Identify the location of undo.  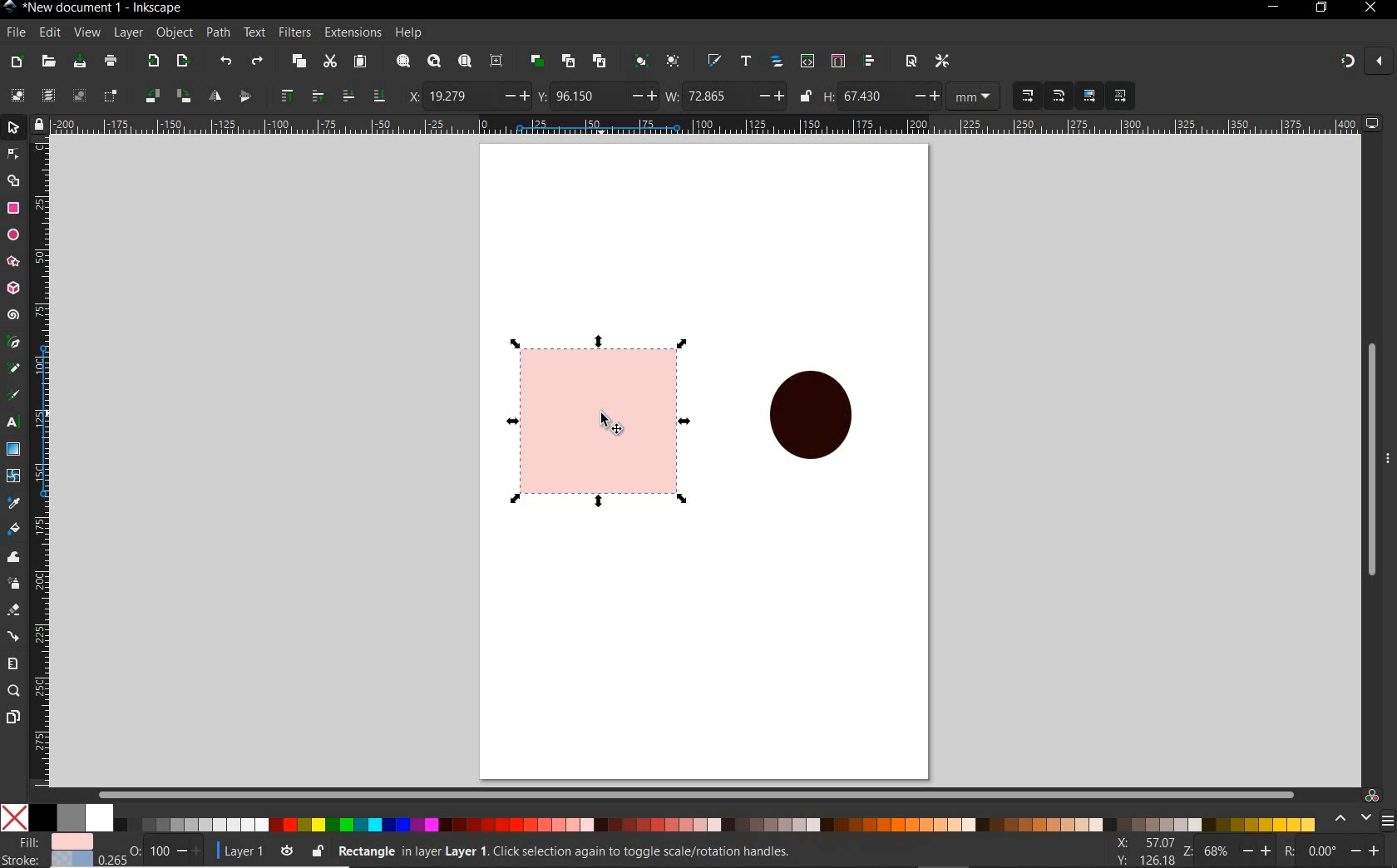
(227, 63).